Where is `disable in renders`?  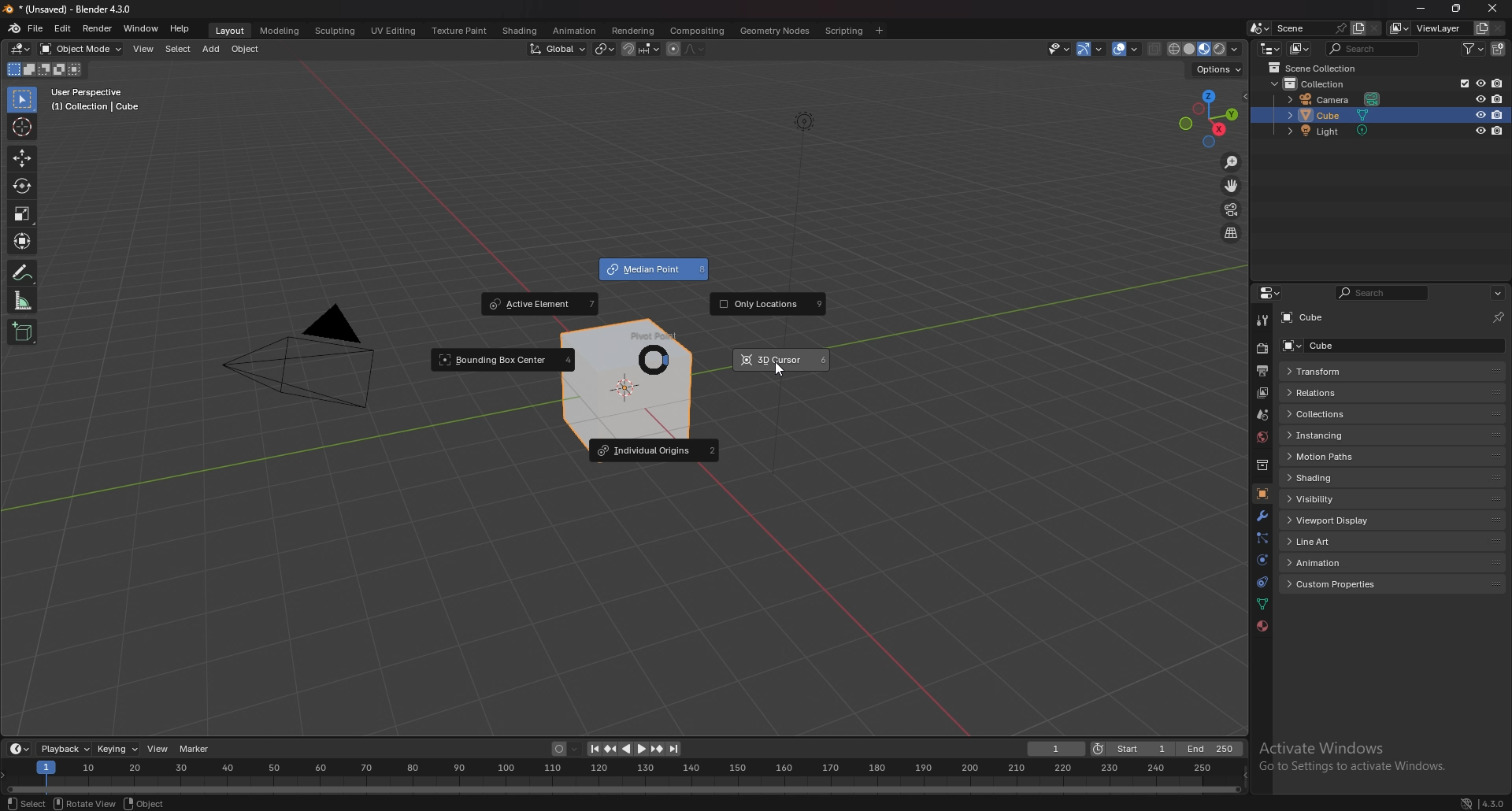
disable in renders is located at coordinates (1499, 131).